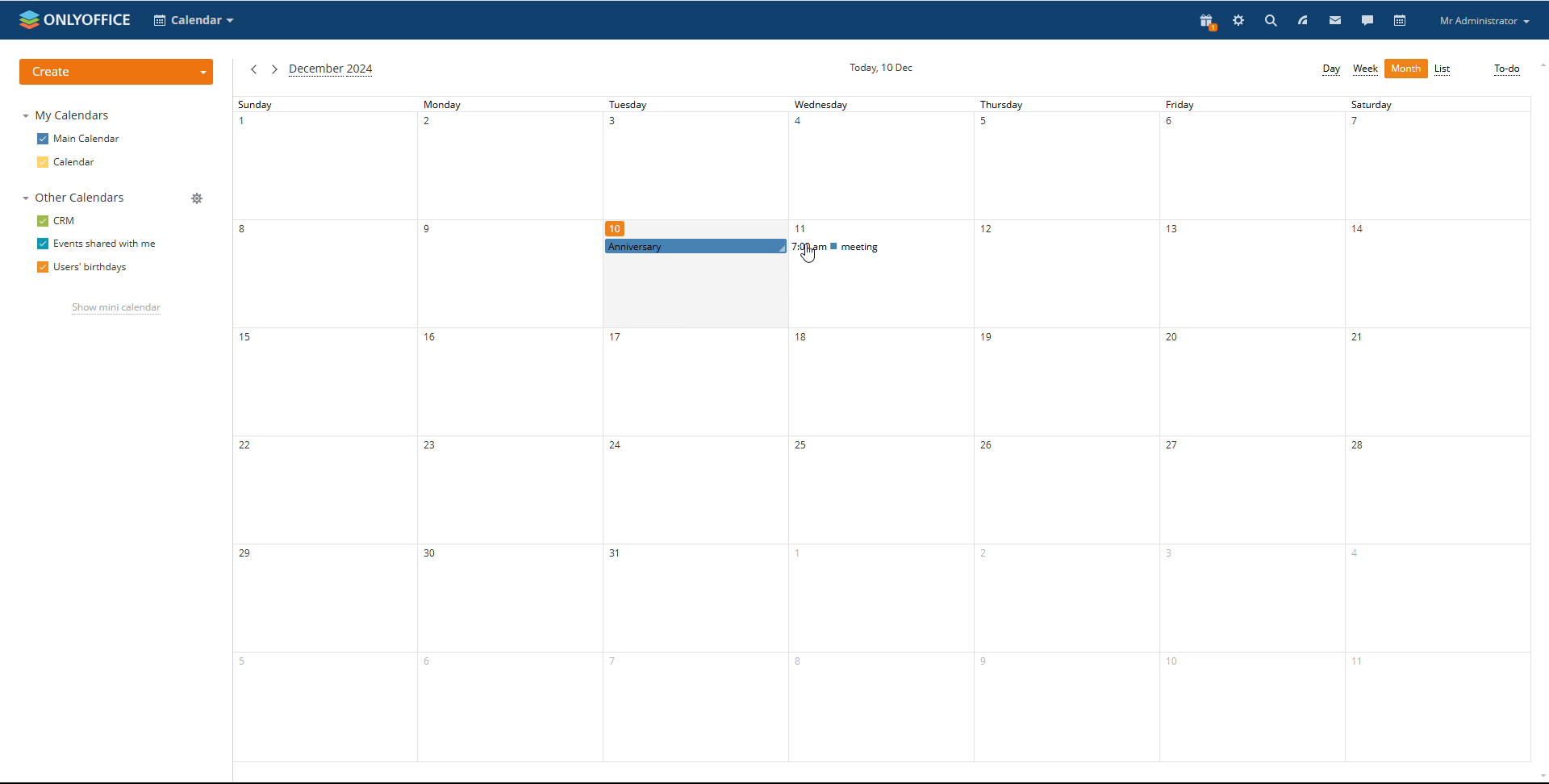 The image size is (1549, 784). I want to click on calendar, so click(1401, 20).